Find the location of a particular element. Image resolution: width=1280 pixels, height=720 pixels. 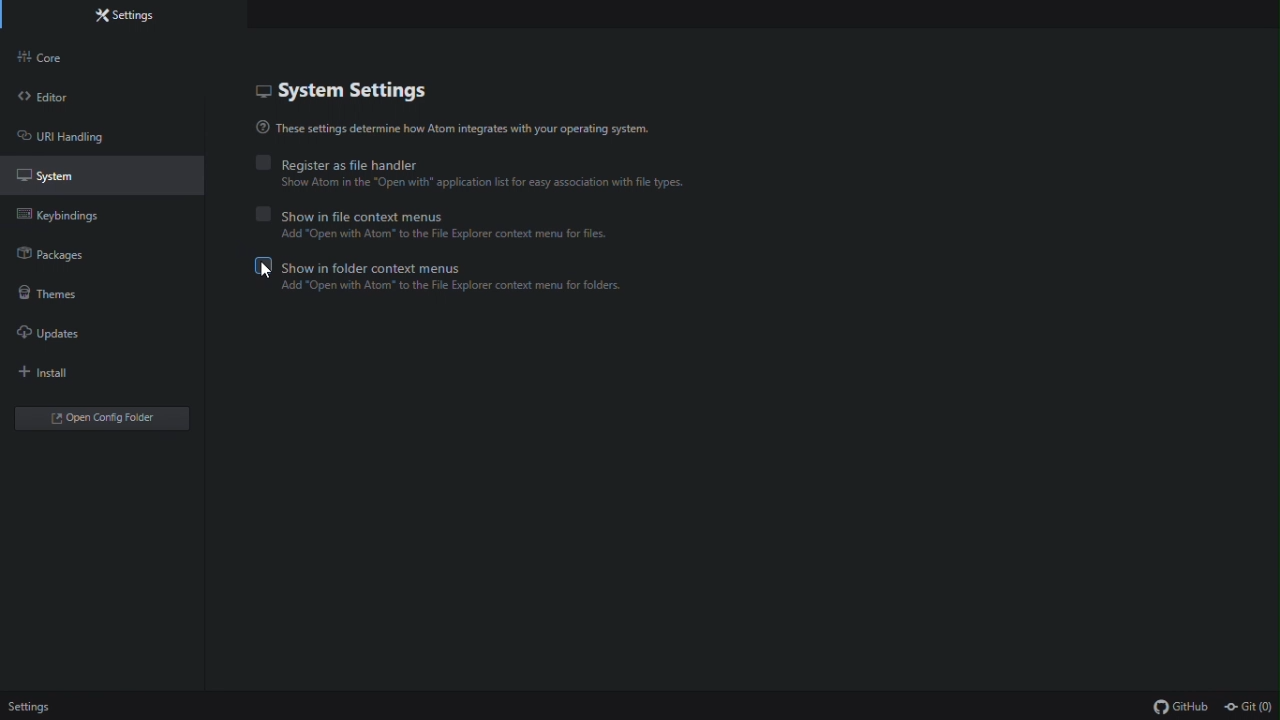

System is located at coordinates (100, 173).